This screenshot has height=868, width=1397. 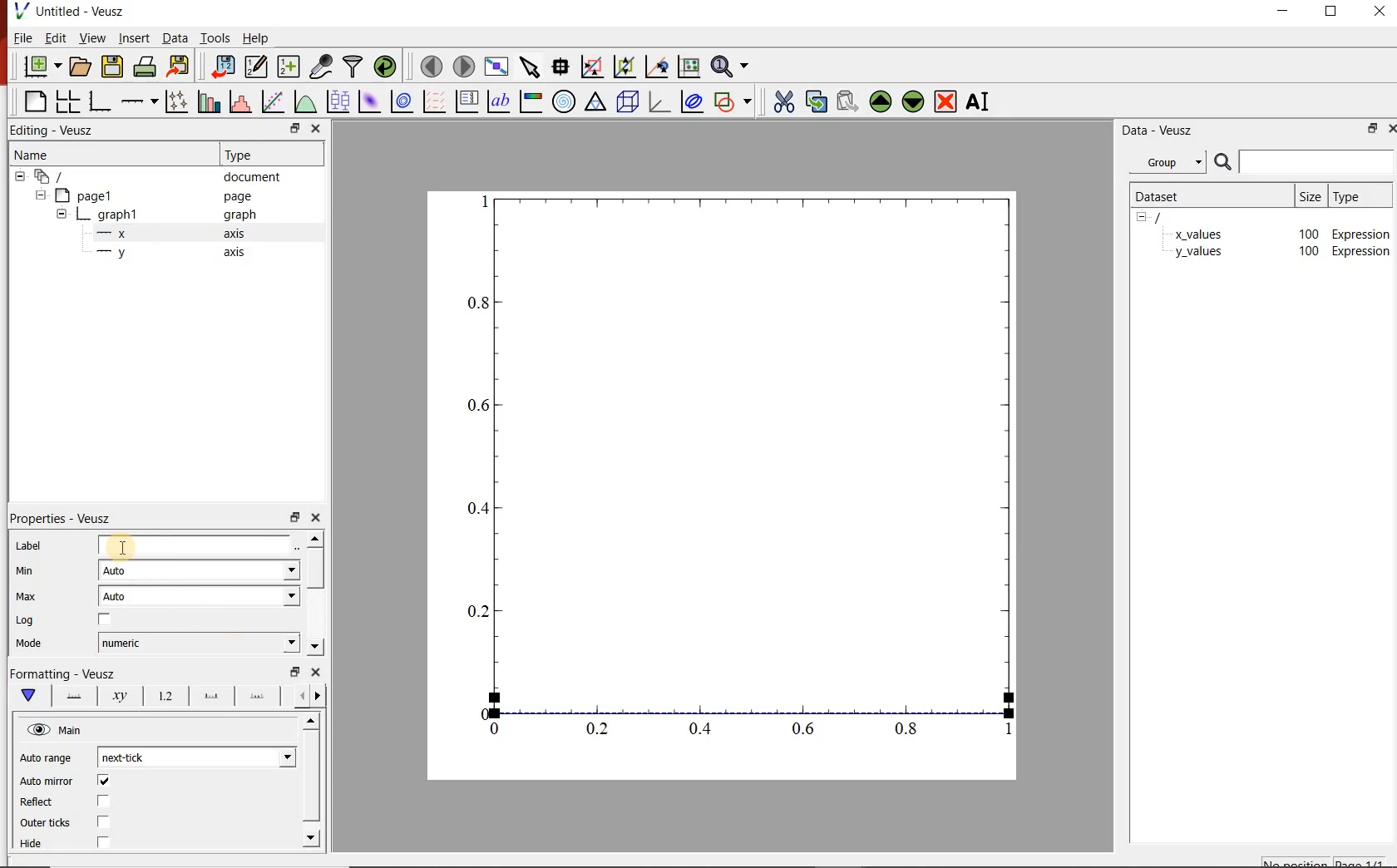 What do you see at coordinates (195, 545) in the screenshot?
I see `input label` at bounding box center [195, 545].